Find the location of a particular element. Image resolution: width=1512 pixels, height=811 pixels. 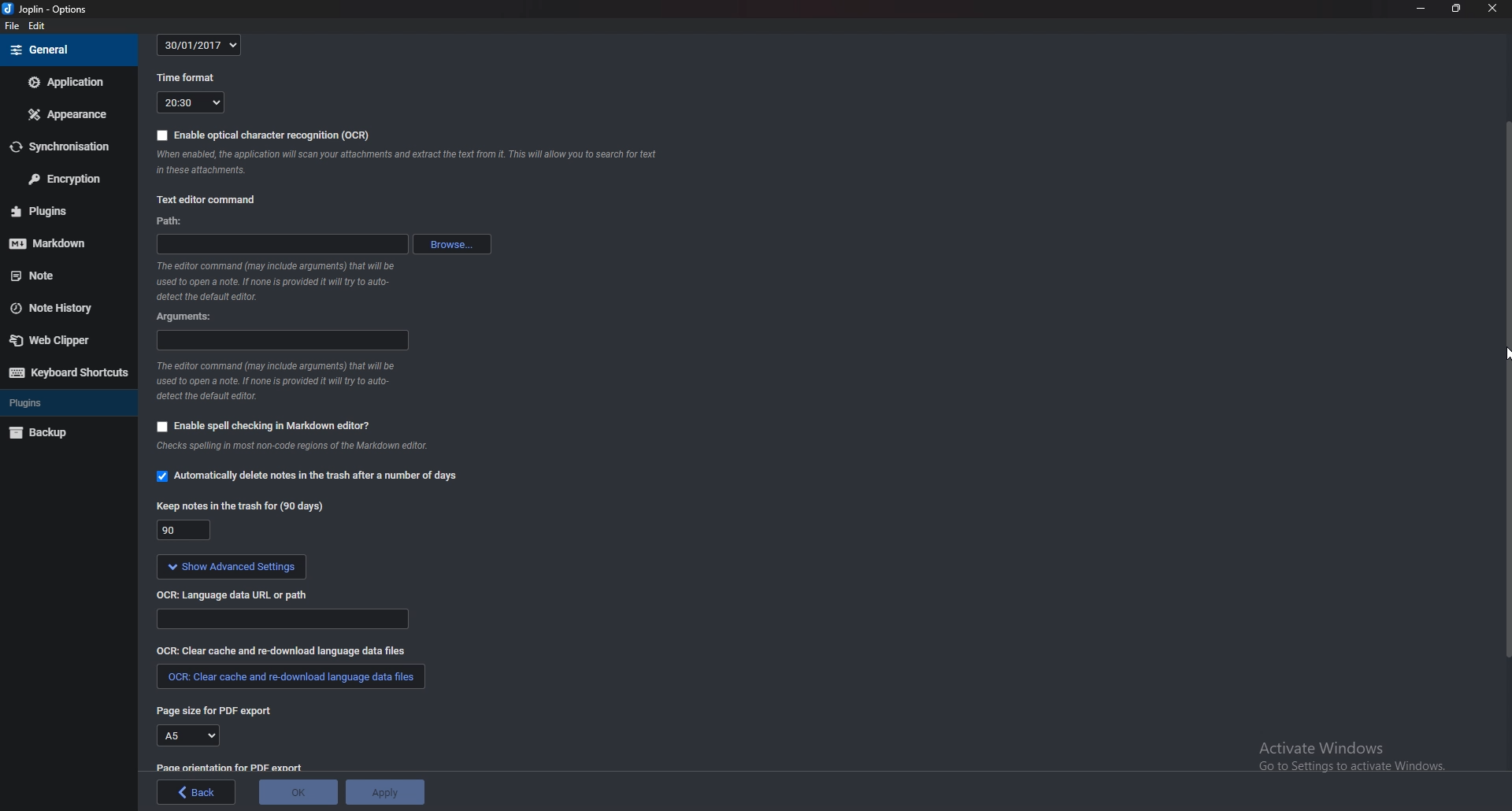

Appearance is located at coordinates (66, 113).